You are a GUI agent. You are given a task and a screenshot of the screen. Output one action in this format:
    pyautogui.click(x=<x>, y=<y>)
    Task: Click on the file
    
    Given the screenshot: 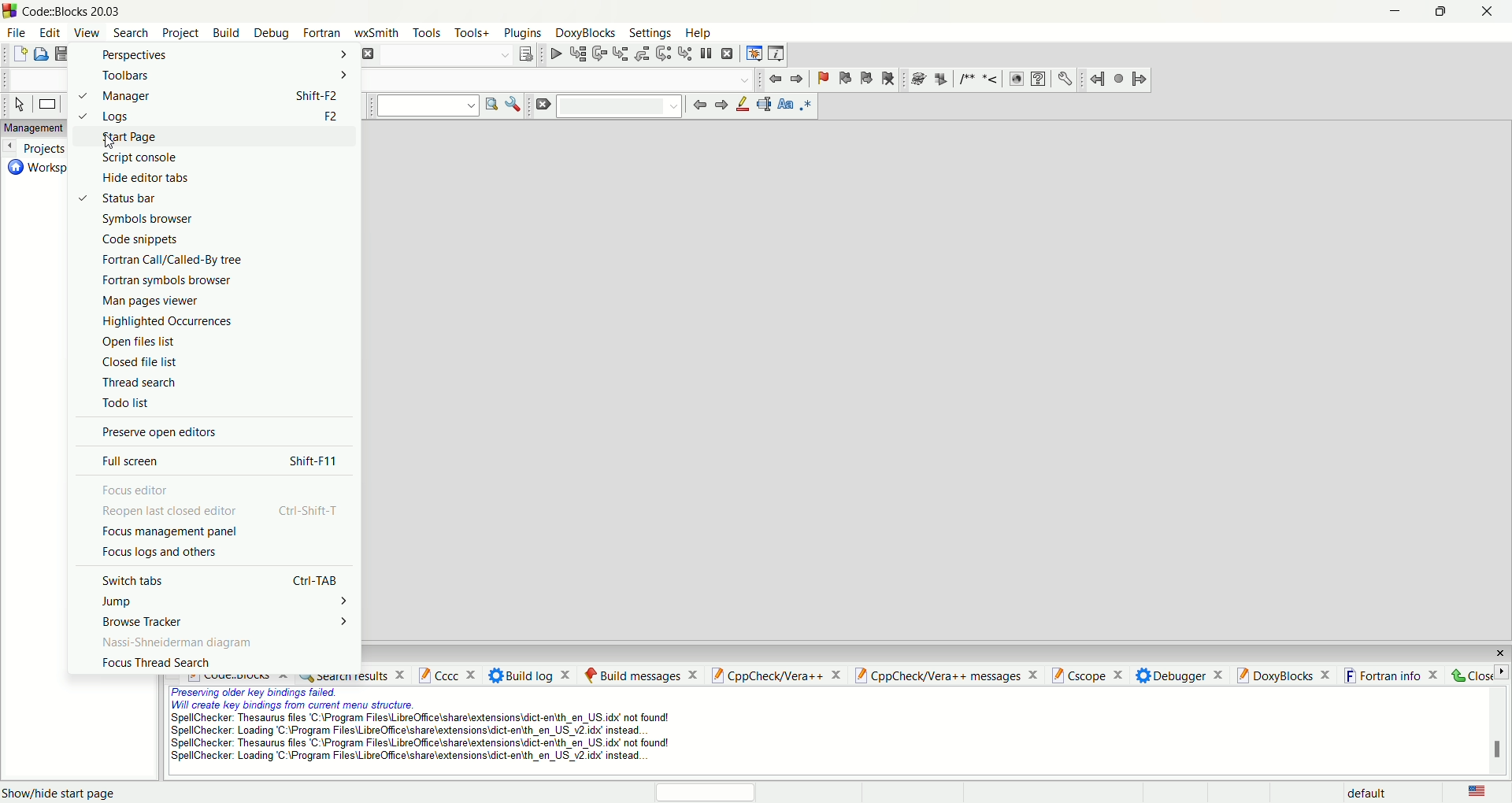 What is the action you would take?
    pyautogui.click(x=16, y=32)
    